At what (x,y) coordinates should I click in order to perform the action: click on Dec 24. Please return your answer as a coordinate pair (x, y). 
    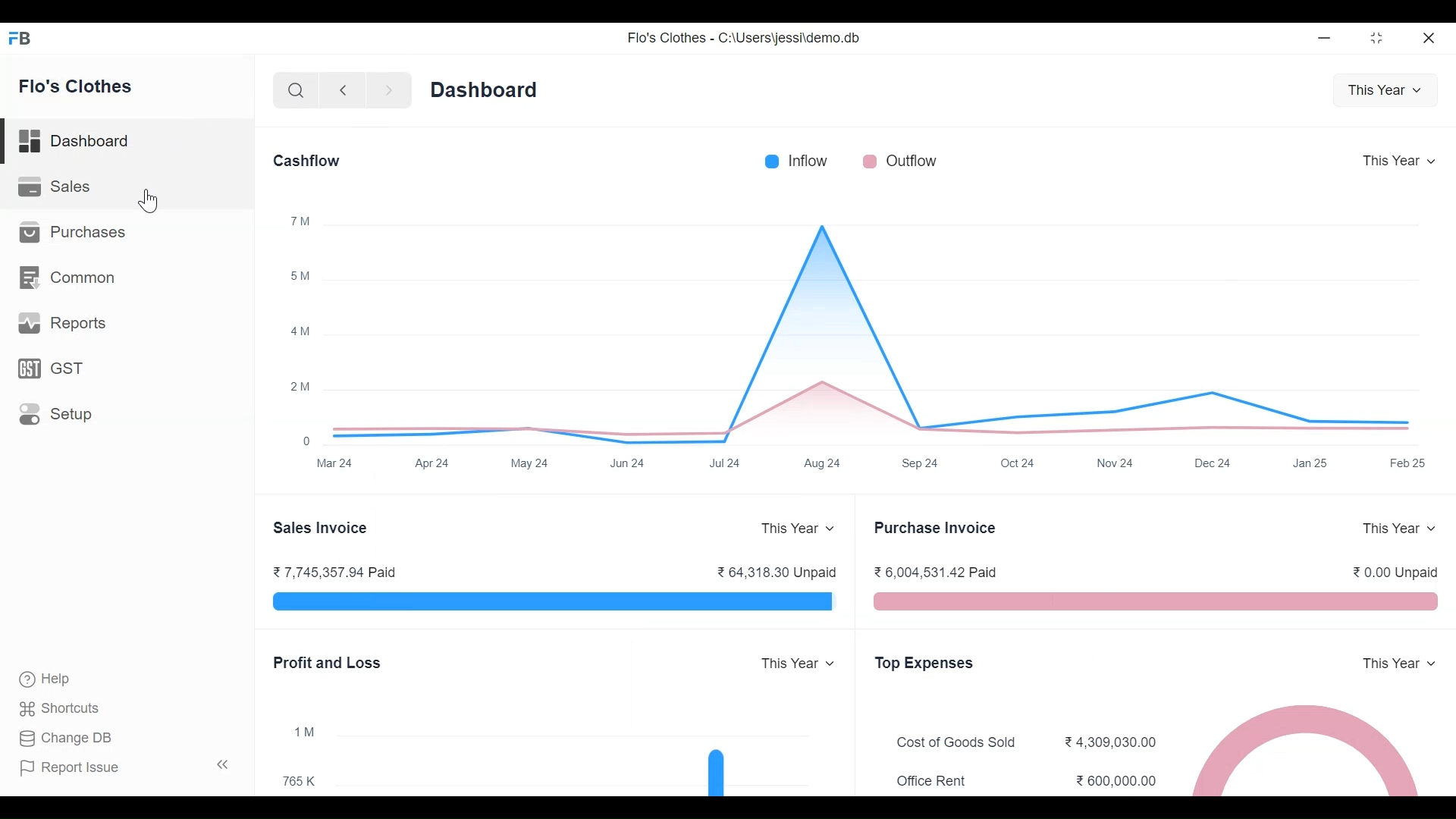
    Looking at the image, I should click on (1211, 463).